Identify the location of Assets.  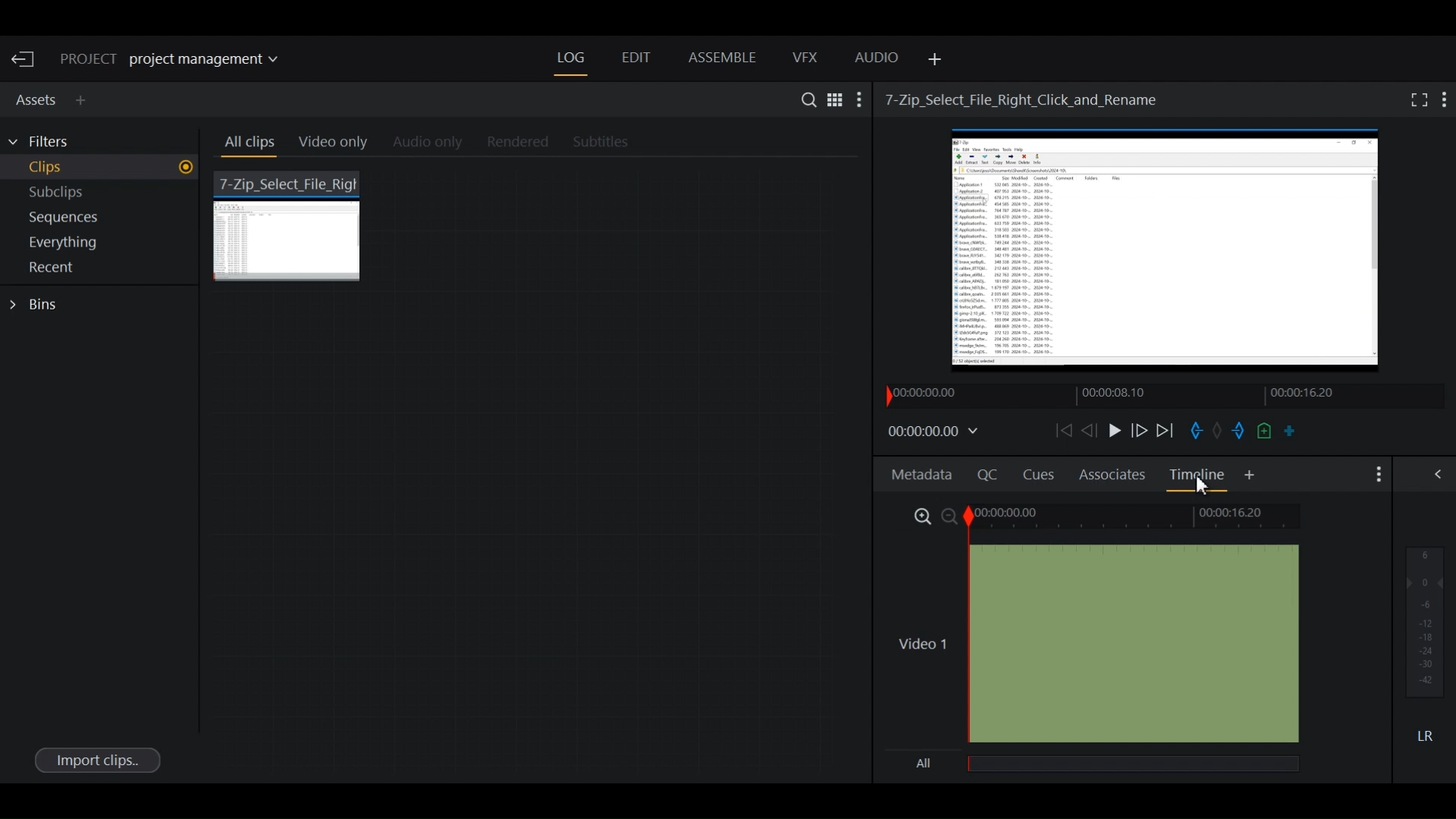
(33, 98).